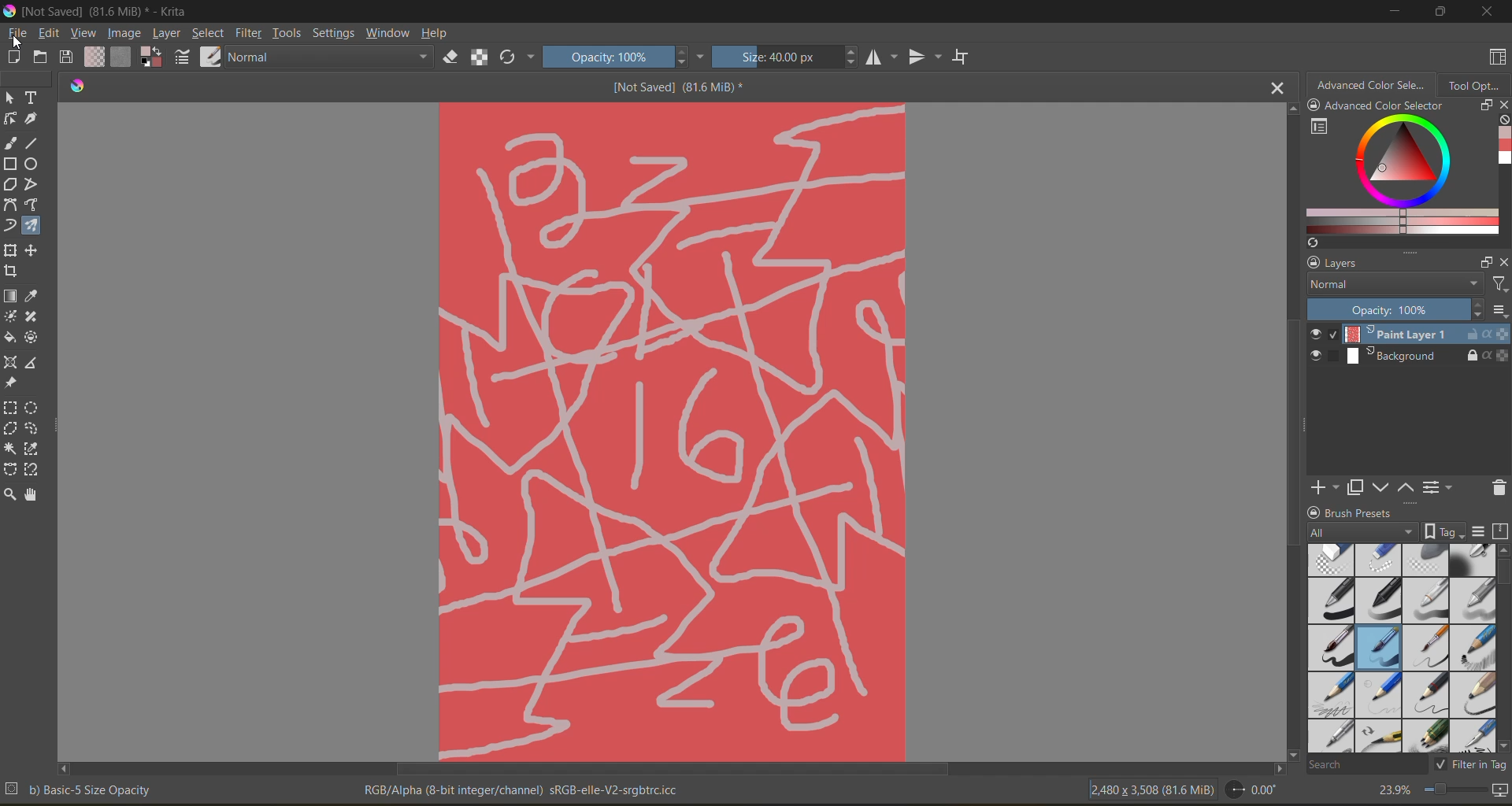 Image resolution: width=1512 pixels, height=806 pixels. What do you see at coordinates (32, 317) in the screenshot?
I see `tool` at bounding box center [32, 317].